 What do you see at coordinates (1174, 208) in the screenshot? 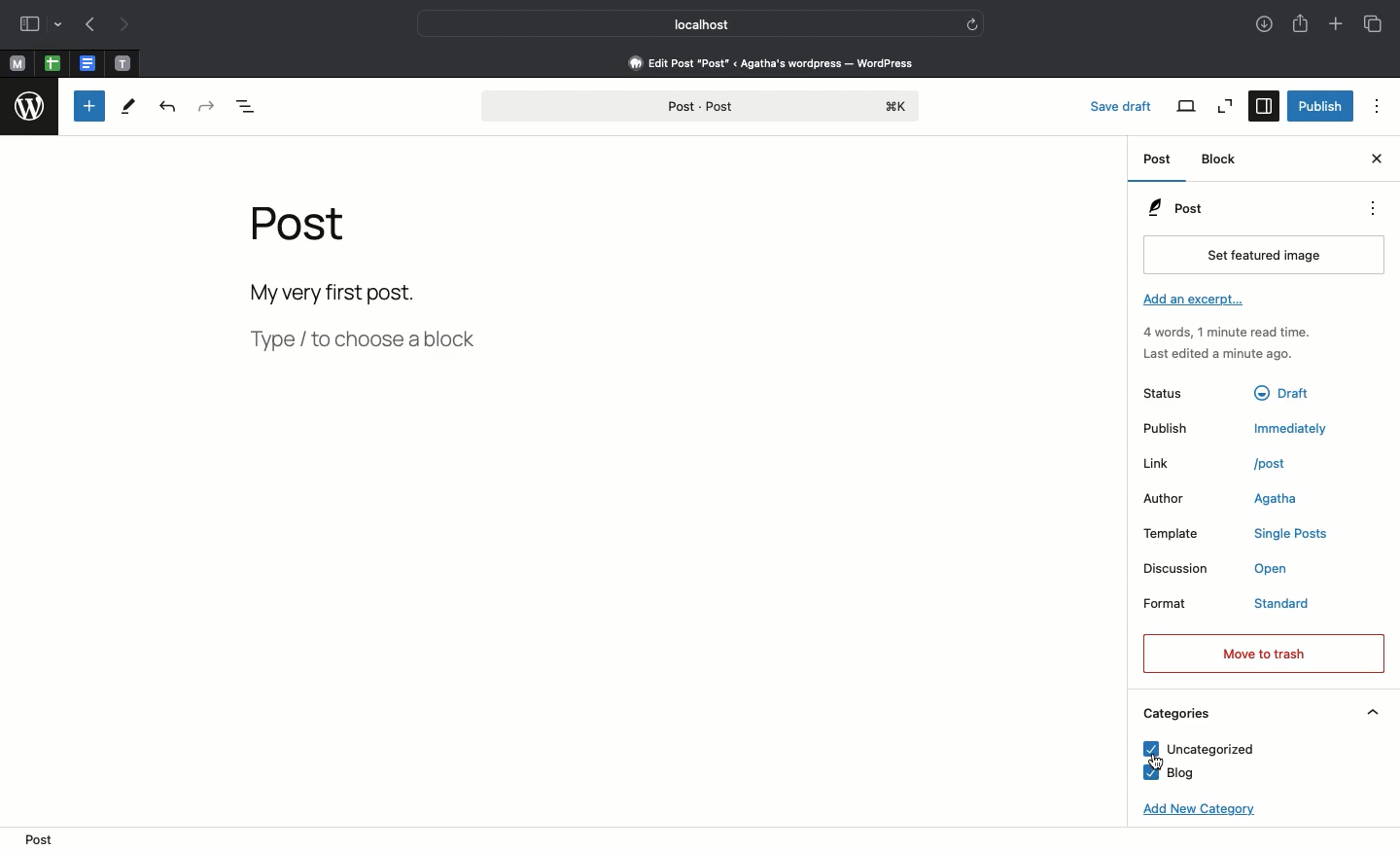
I see `Post` at bounding box center [1174, 208].